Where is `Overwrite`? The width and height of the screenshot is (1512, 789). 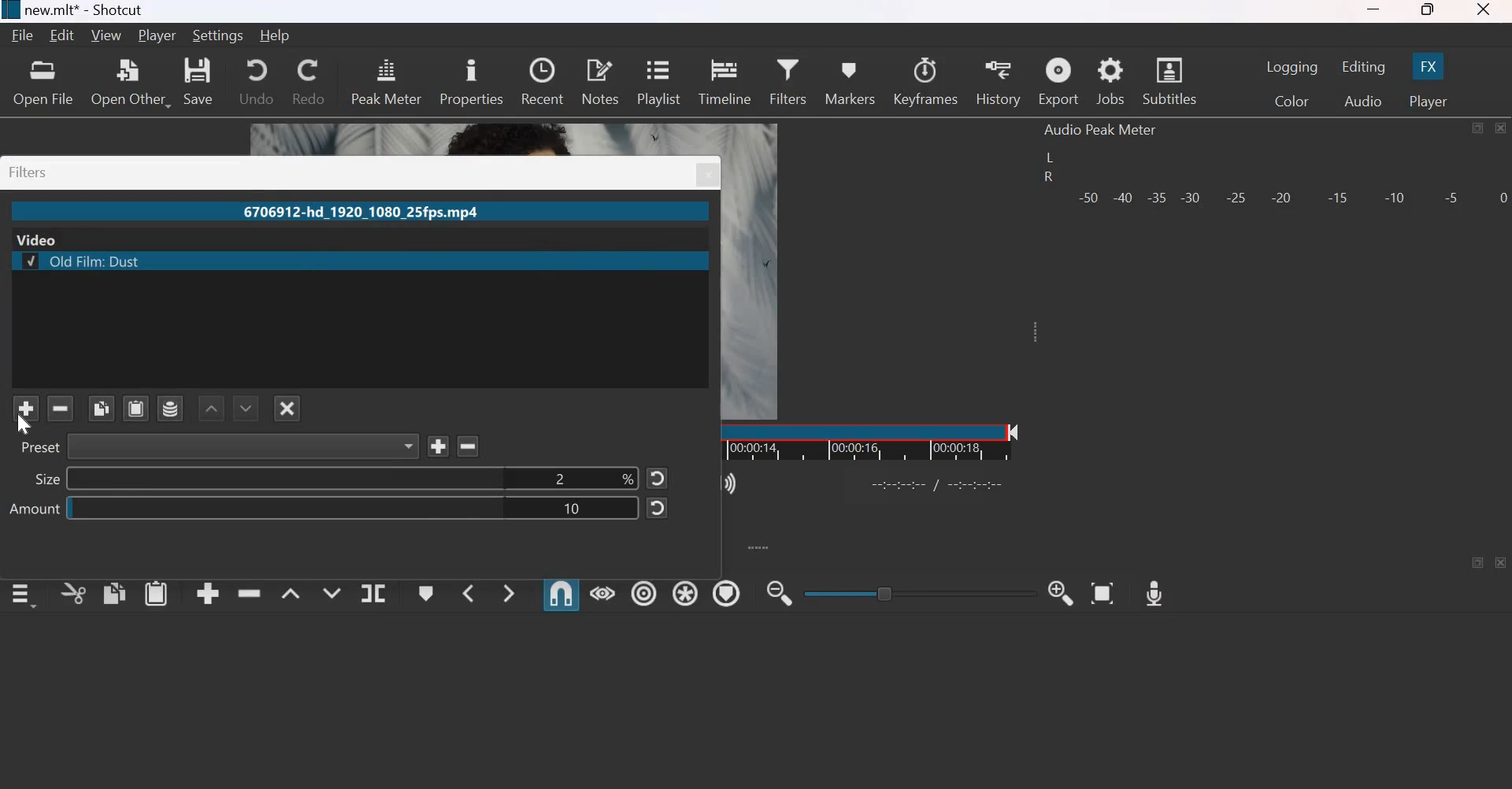 Overwrite is located at coordinates (332, 591).